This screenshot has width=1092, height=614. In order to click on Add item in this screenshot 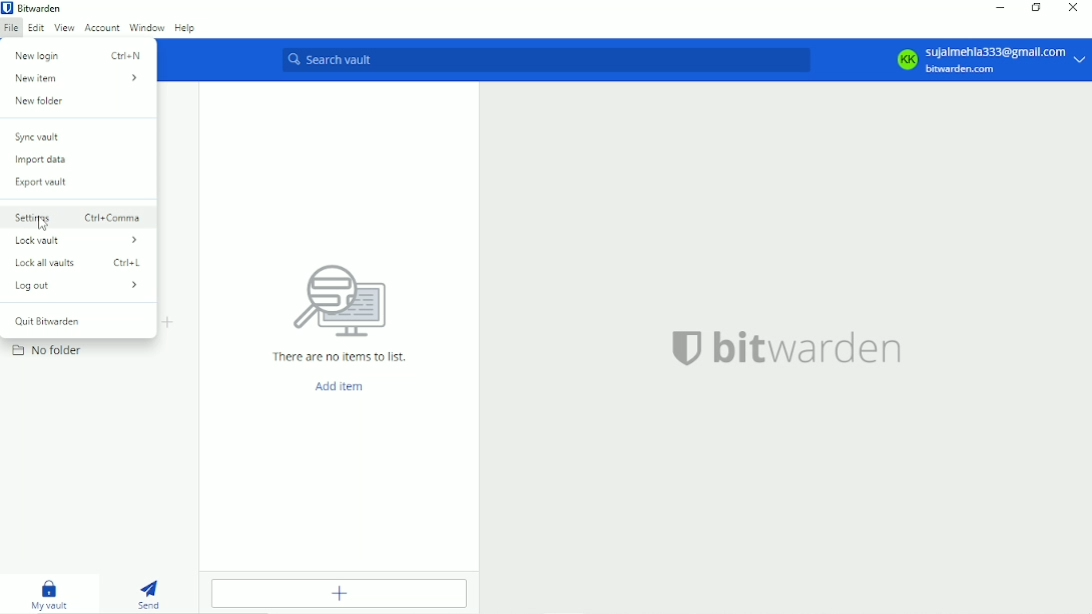, I will do `click(340, 594)`.